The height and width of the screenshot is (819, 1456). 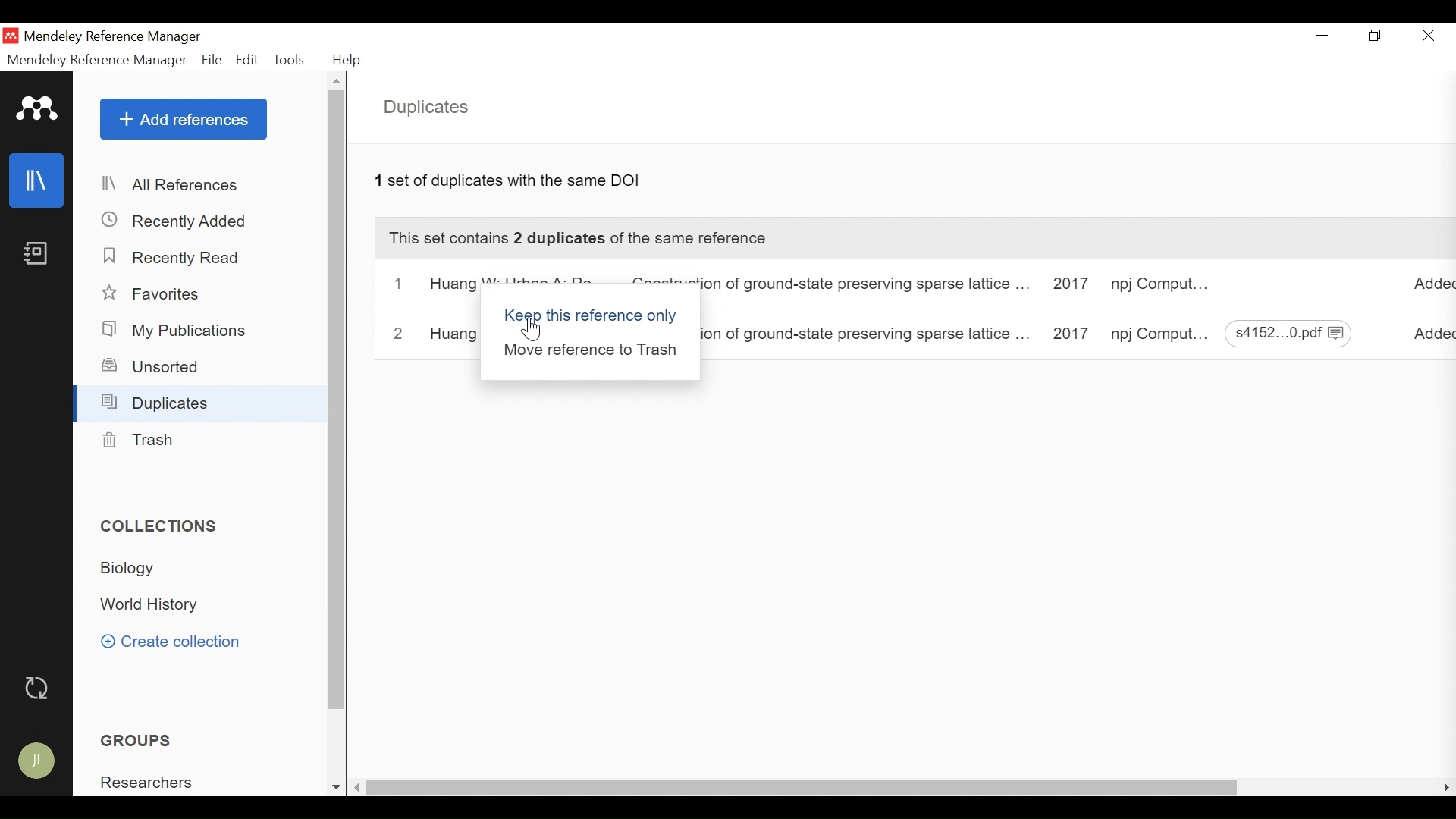 I want to click on Mendeley Desktop Icon, so click(x=11, y=35).